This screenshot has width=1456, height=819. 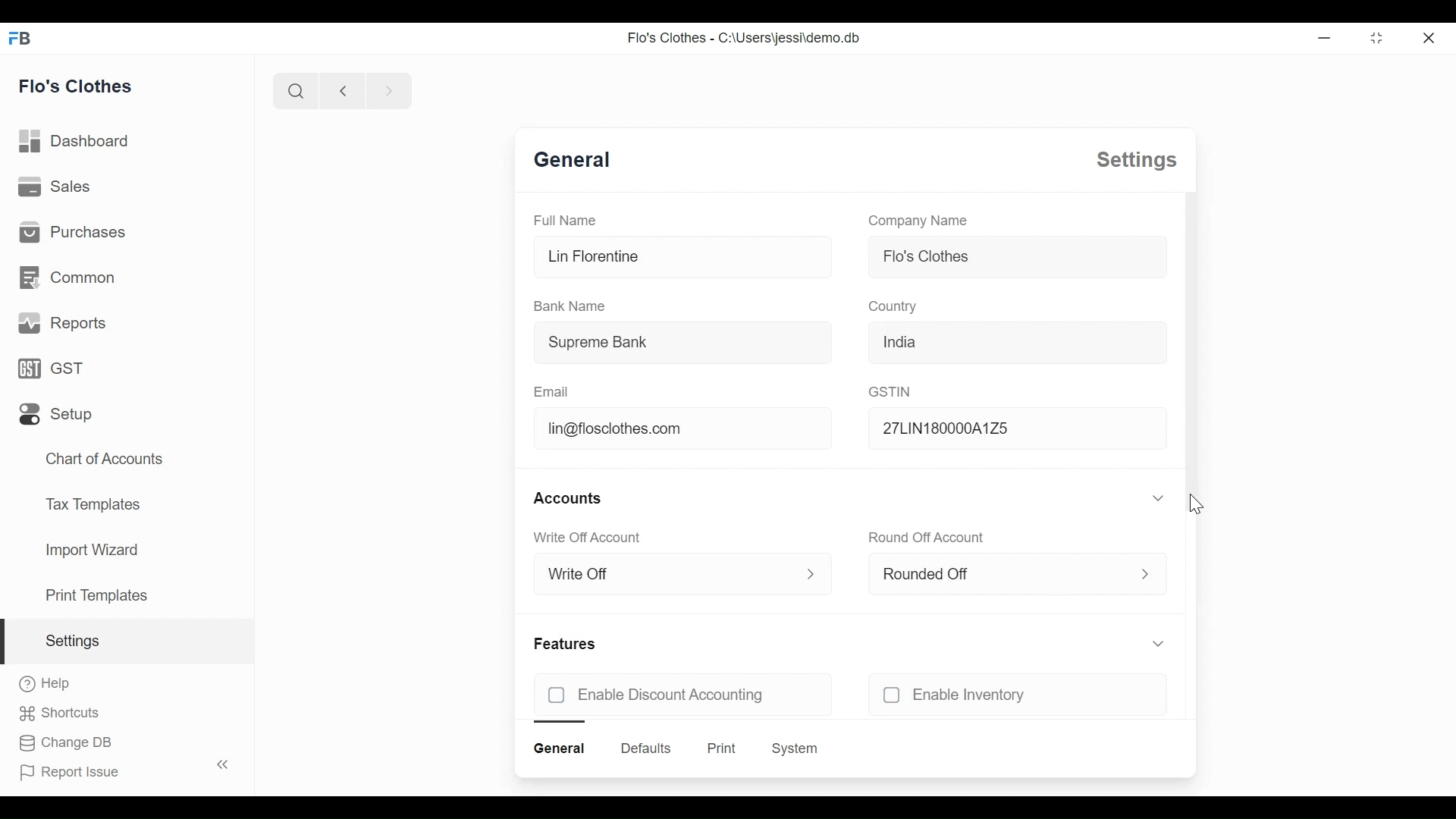 What do you see at coordinates (646, 748) in the screenshot?
I see `Defaults` at bounding box center [646, 748].